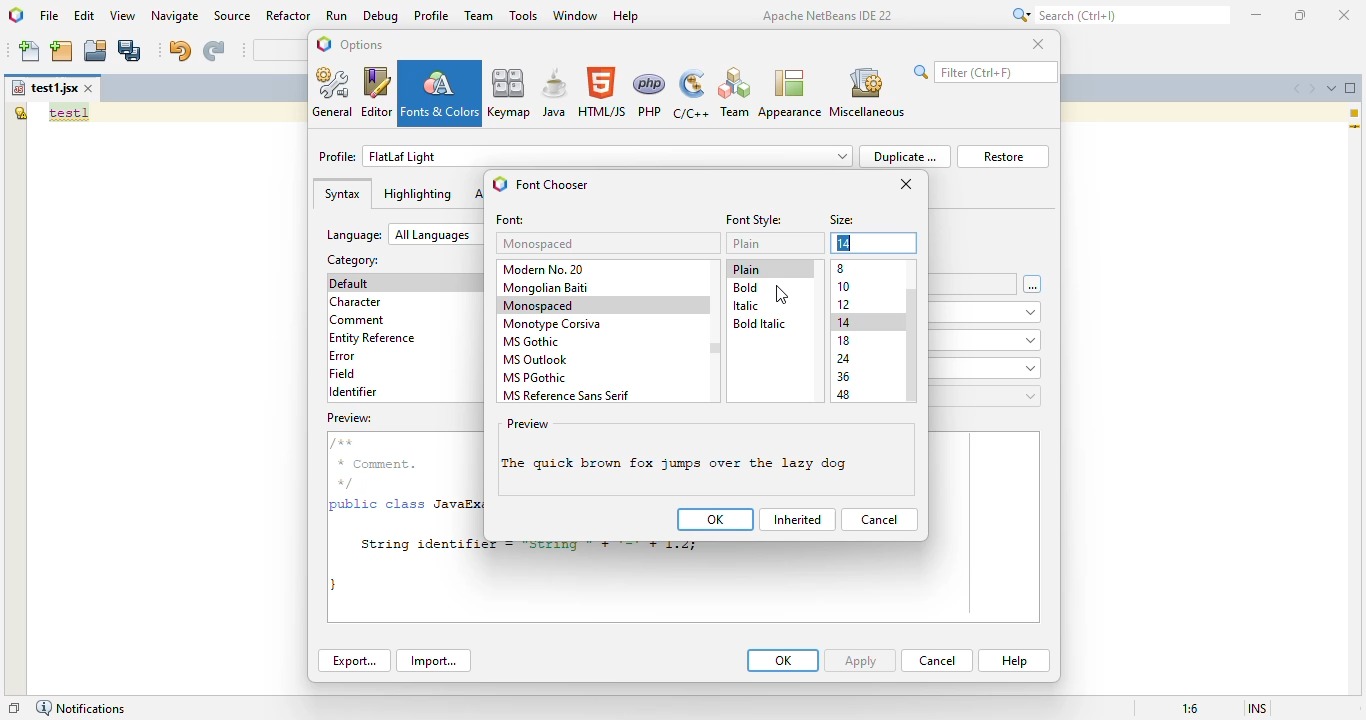  I want to click on default, so click(353, 283).